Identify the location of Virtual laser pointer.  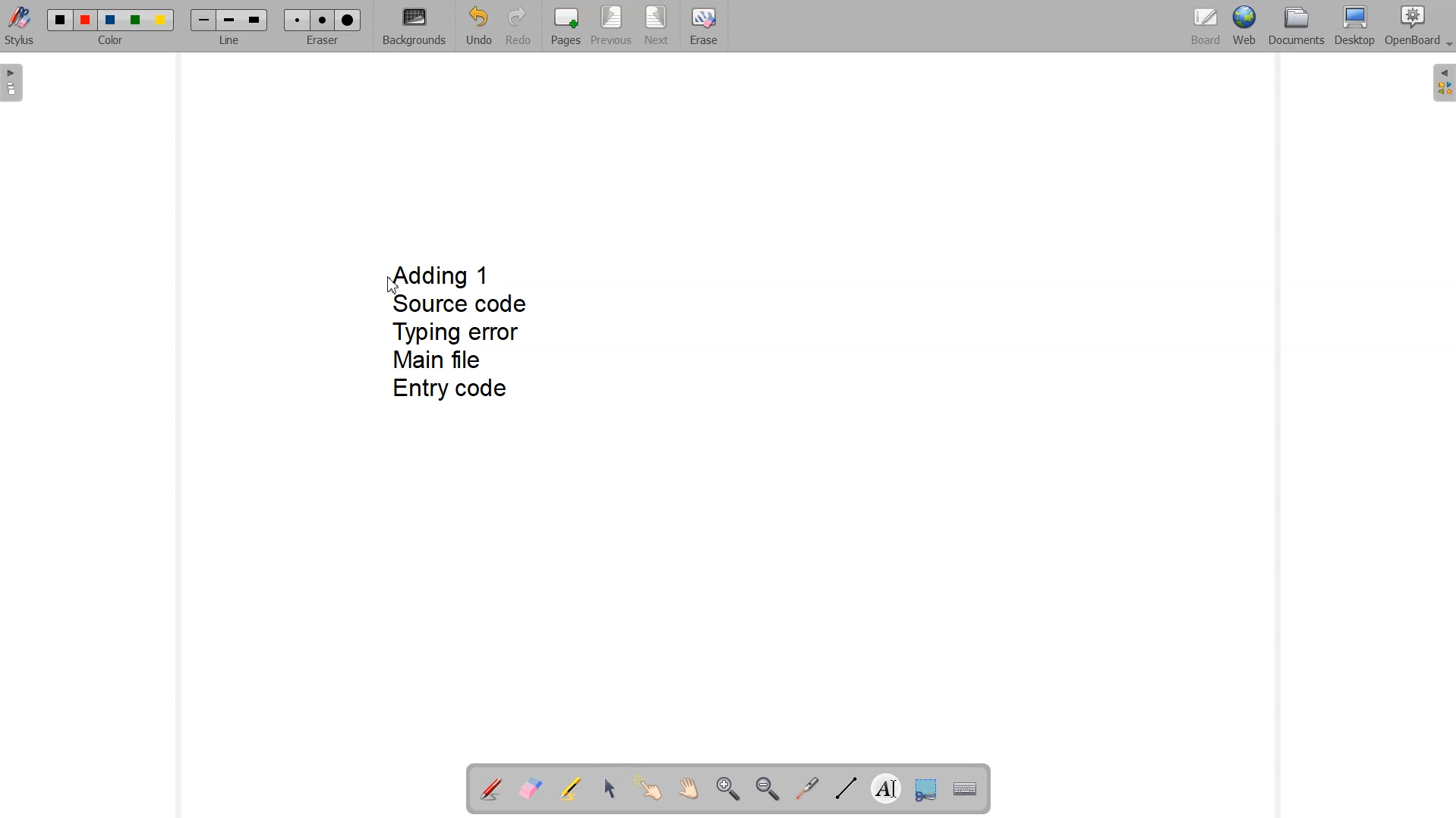
(807, 788).